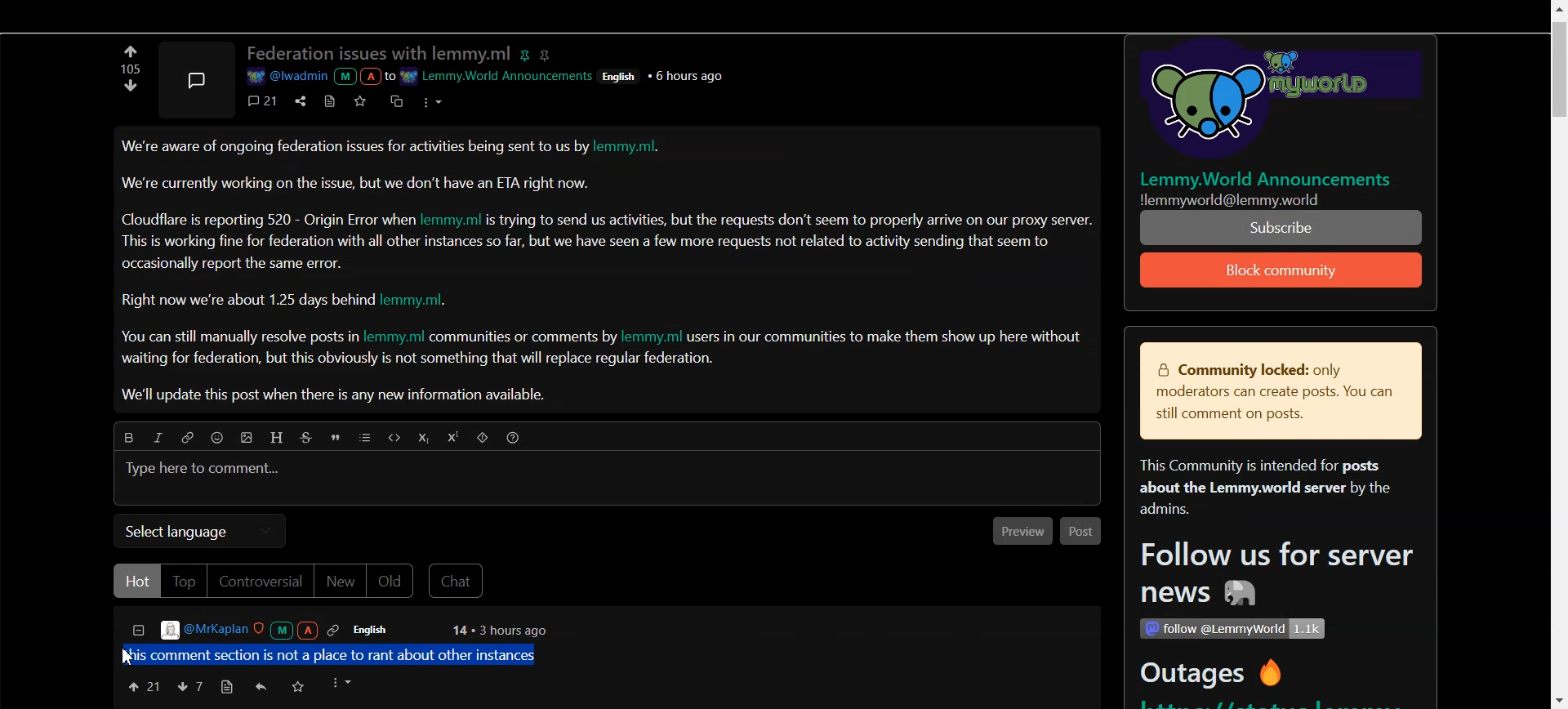 This screenshot has height=709, width=1568. I want to click on Type here to comment..., so click(205, 470).